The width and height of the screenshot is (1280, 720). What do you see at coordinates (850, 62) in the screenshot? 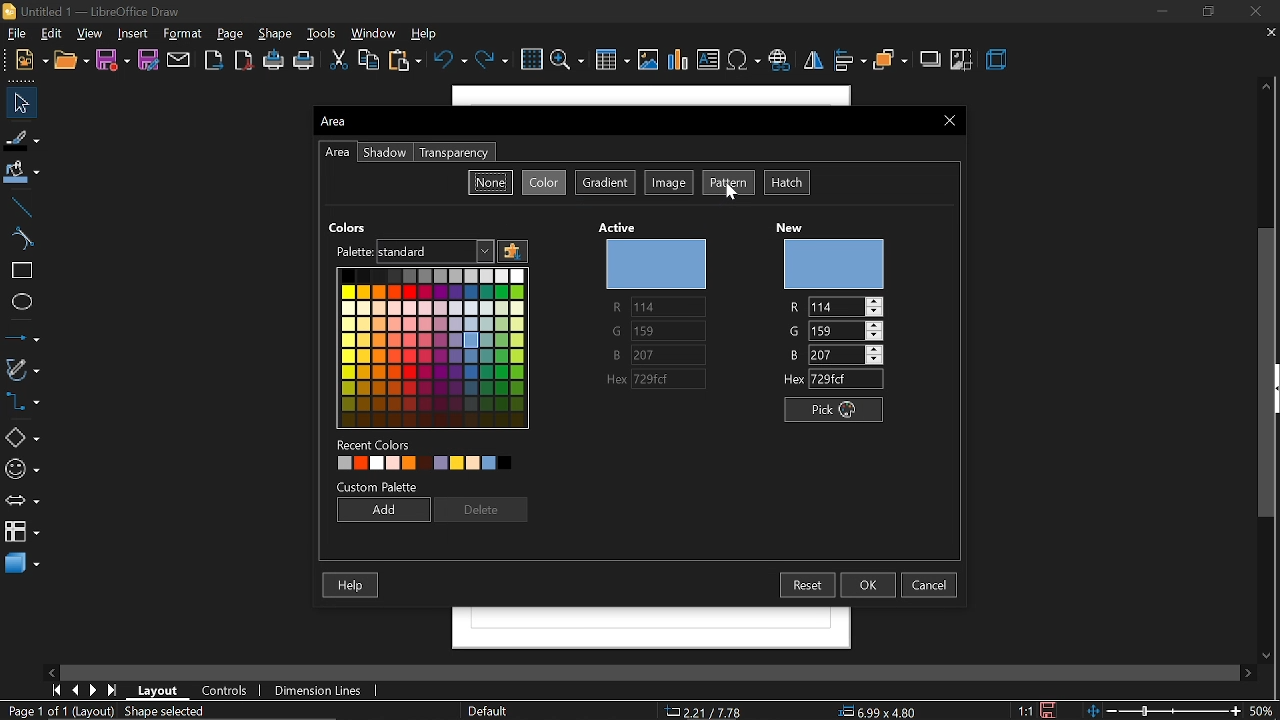
I see `align` at bounding box center [850, 62].